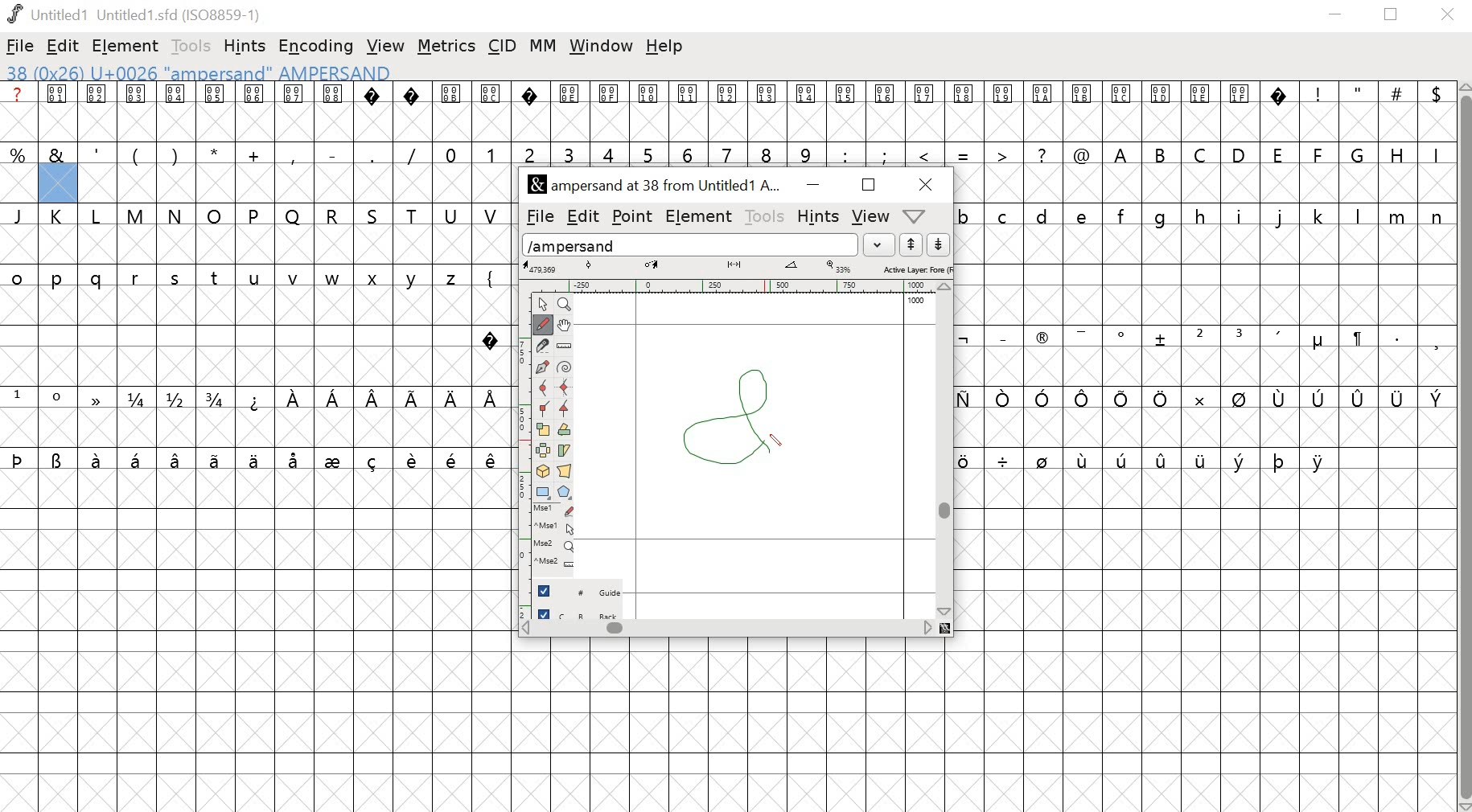 The image size is (1472, 812). What do you see at coordinates (175, 112) in the screenshot?
I see `0004` at bounding box center [175, 112].